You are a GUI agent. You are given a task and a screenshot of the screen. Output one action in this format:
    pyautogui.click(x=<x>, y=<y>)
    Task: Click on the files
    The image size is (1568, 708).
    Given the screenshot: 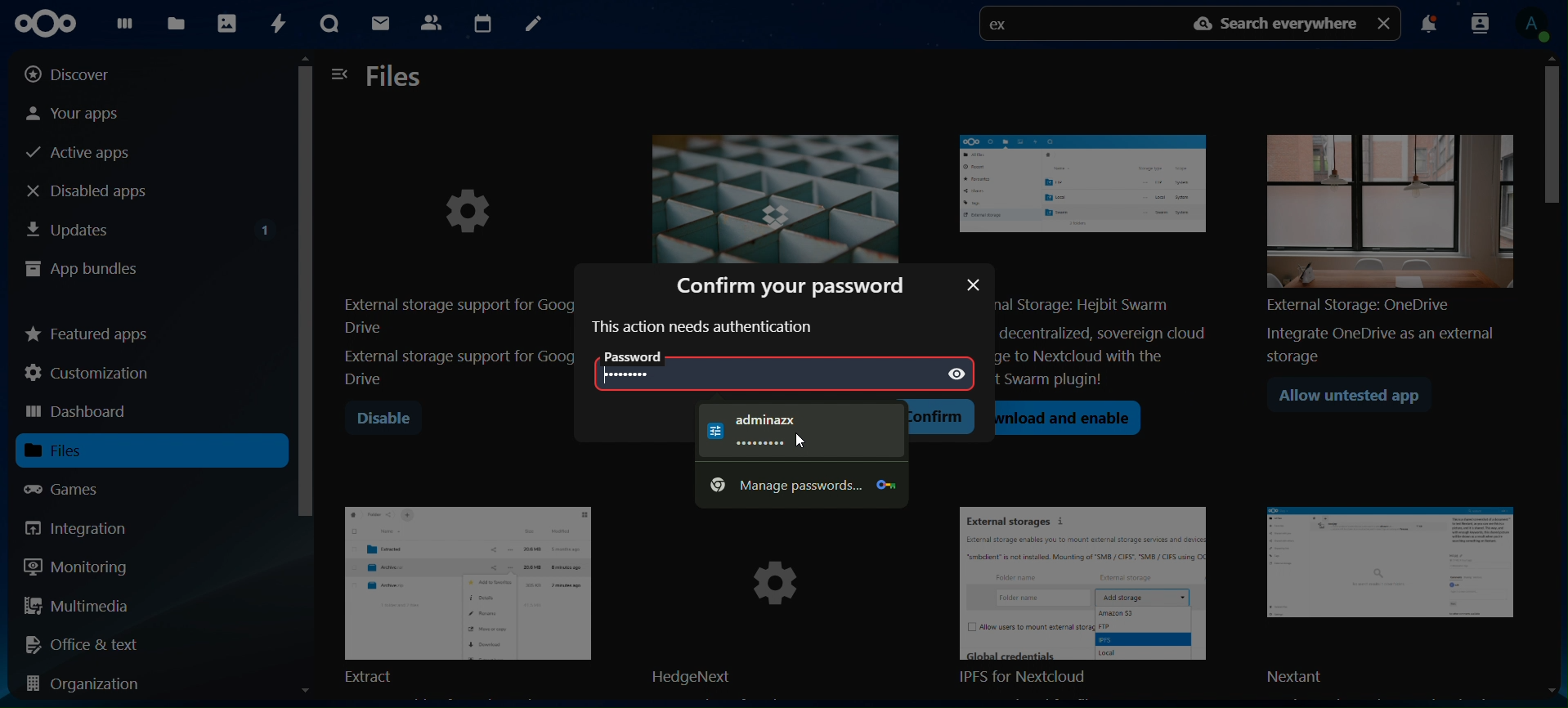 What is the action you would take?
    pyautogui.click(x=75, y=450)
    